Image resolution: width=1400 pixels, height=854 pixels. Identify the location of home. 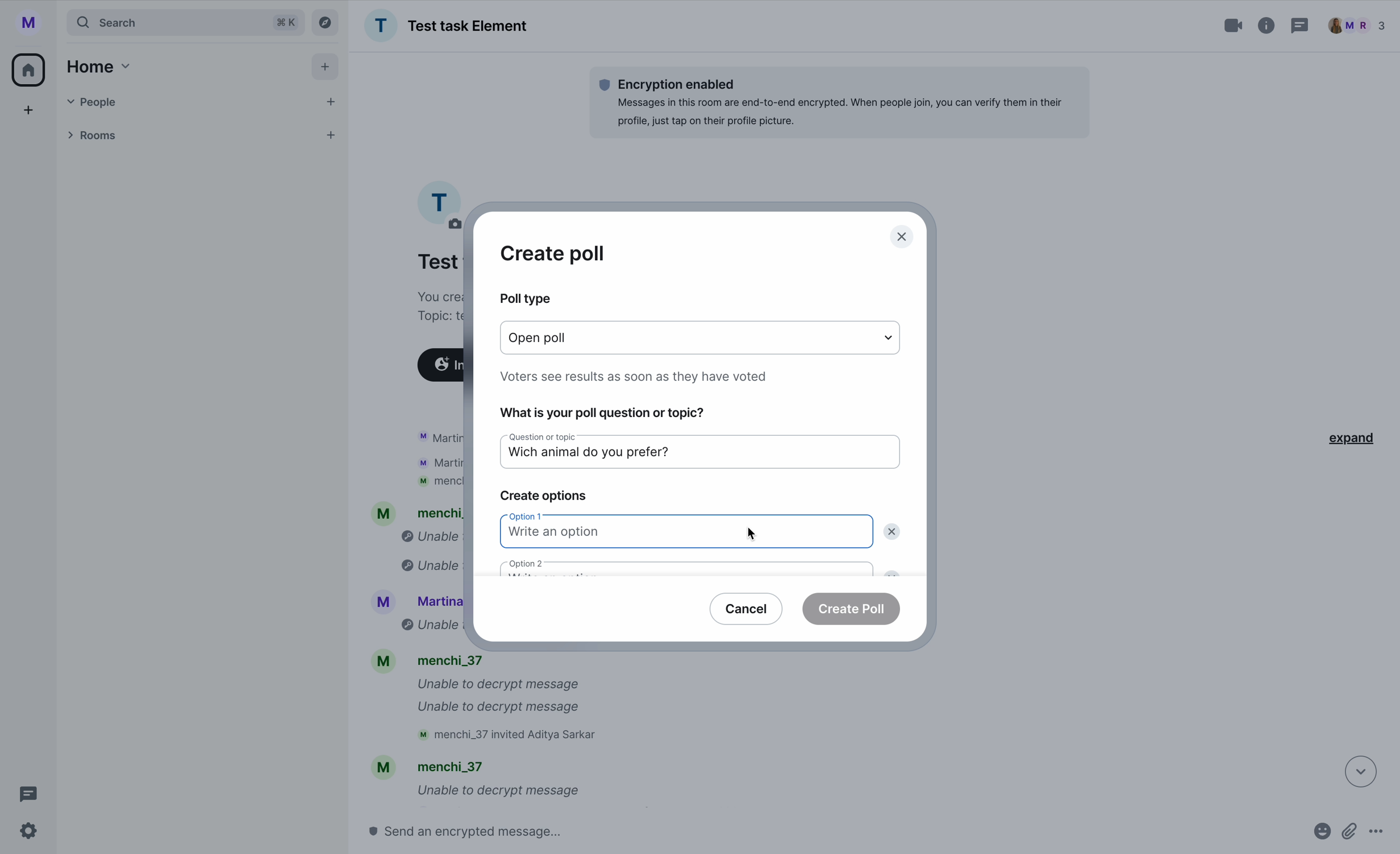
(30, 69).